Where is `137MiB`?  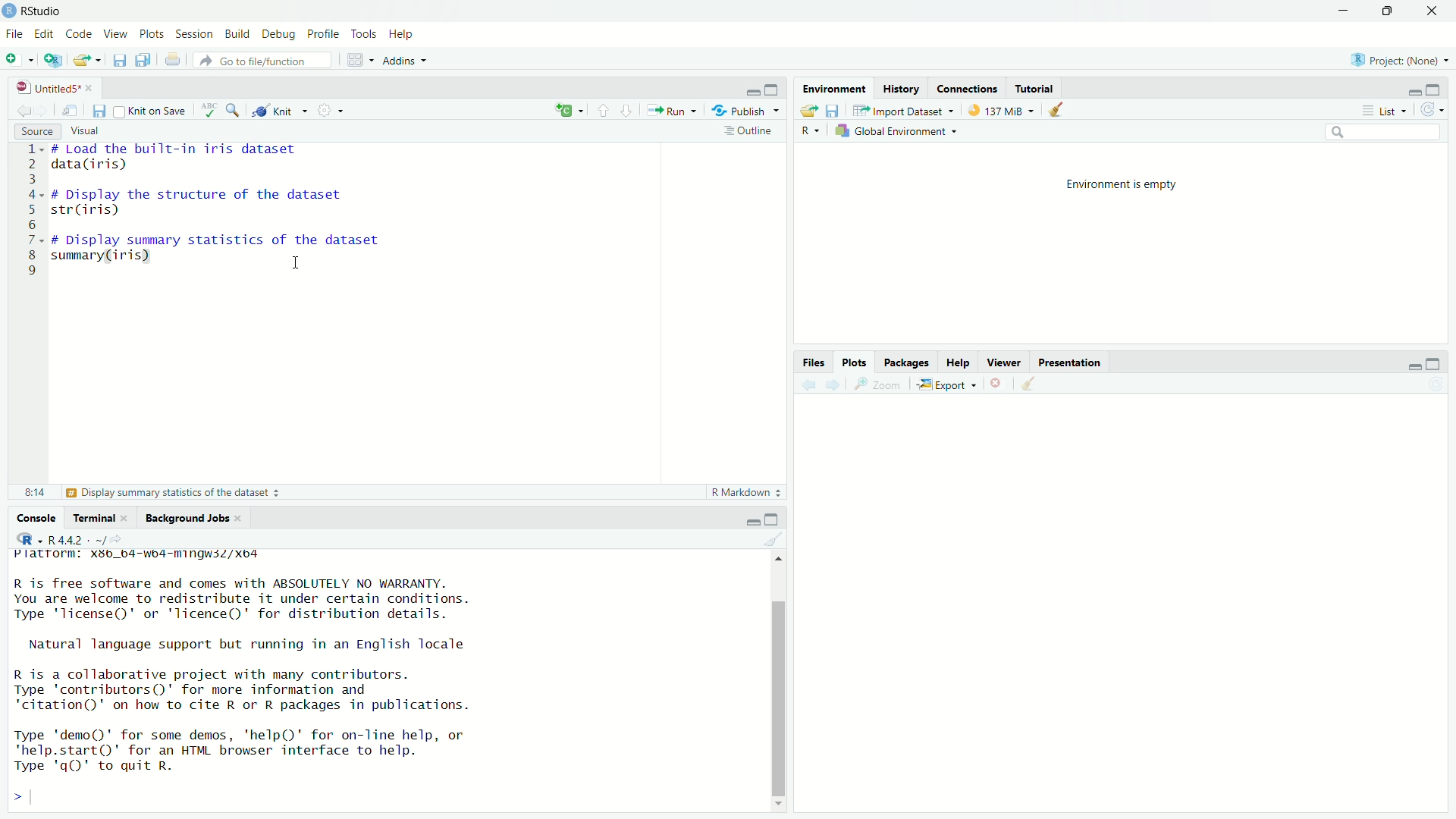
137MiB is located at coordinates (1000, 109).